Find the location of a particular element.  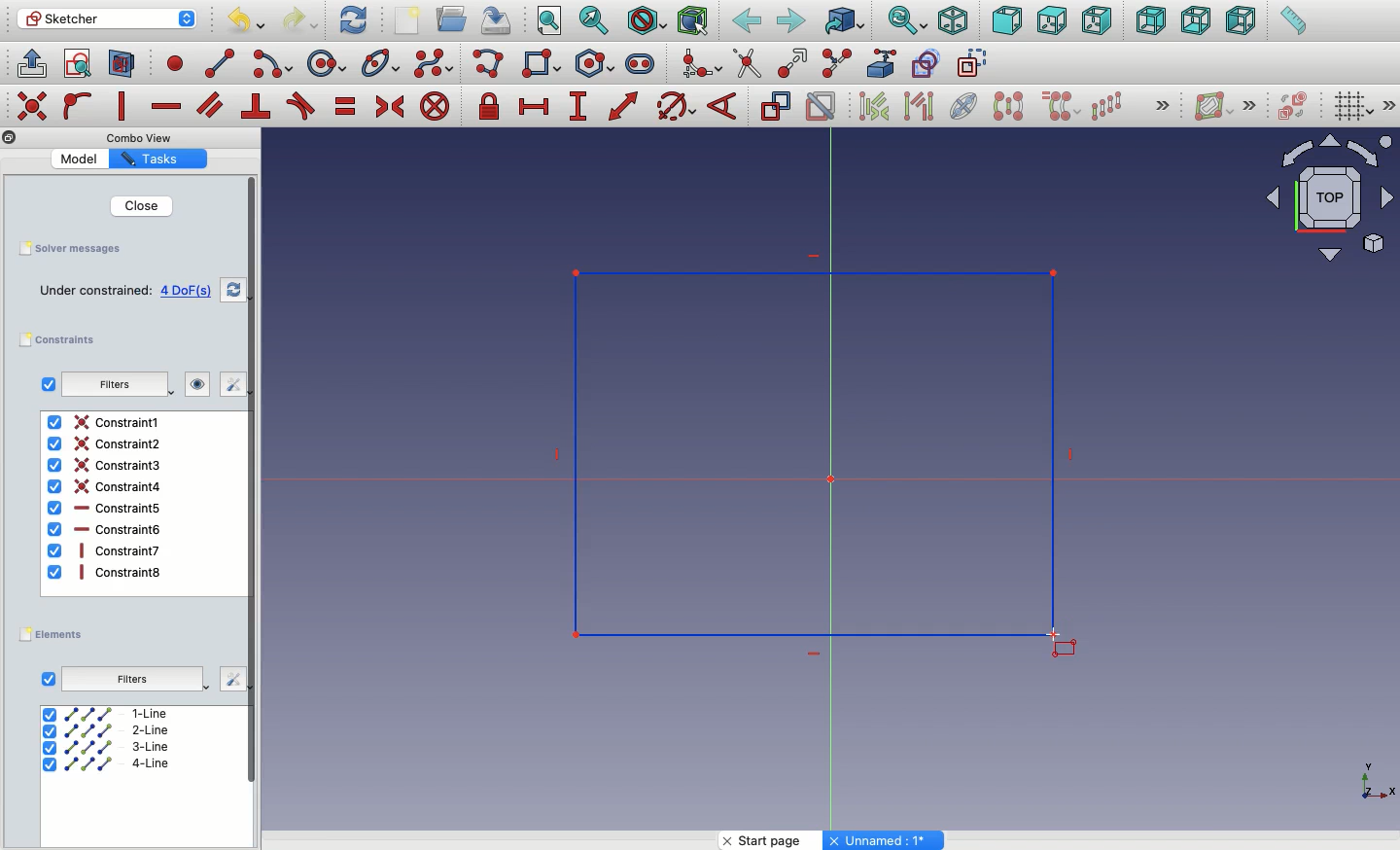

Start page is located at coordinates (773, 840).